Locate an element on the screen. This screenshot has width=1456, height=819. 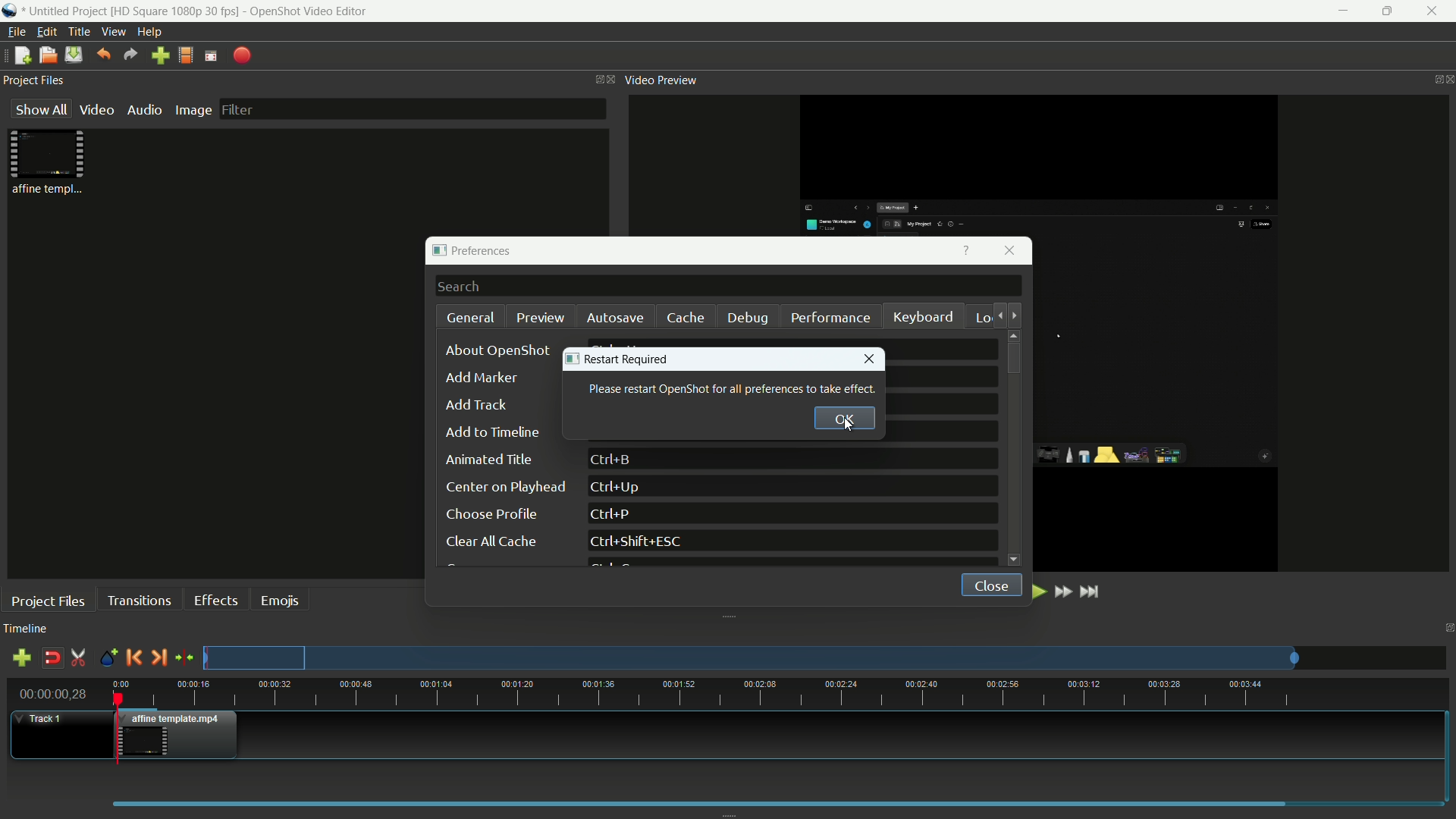
create marker is located at coordinates (105, 658).